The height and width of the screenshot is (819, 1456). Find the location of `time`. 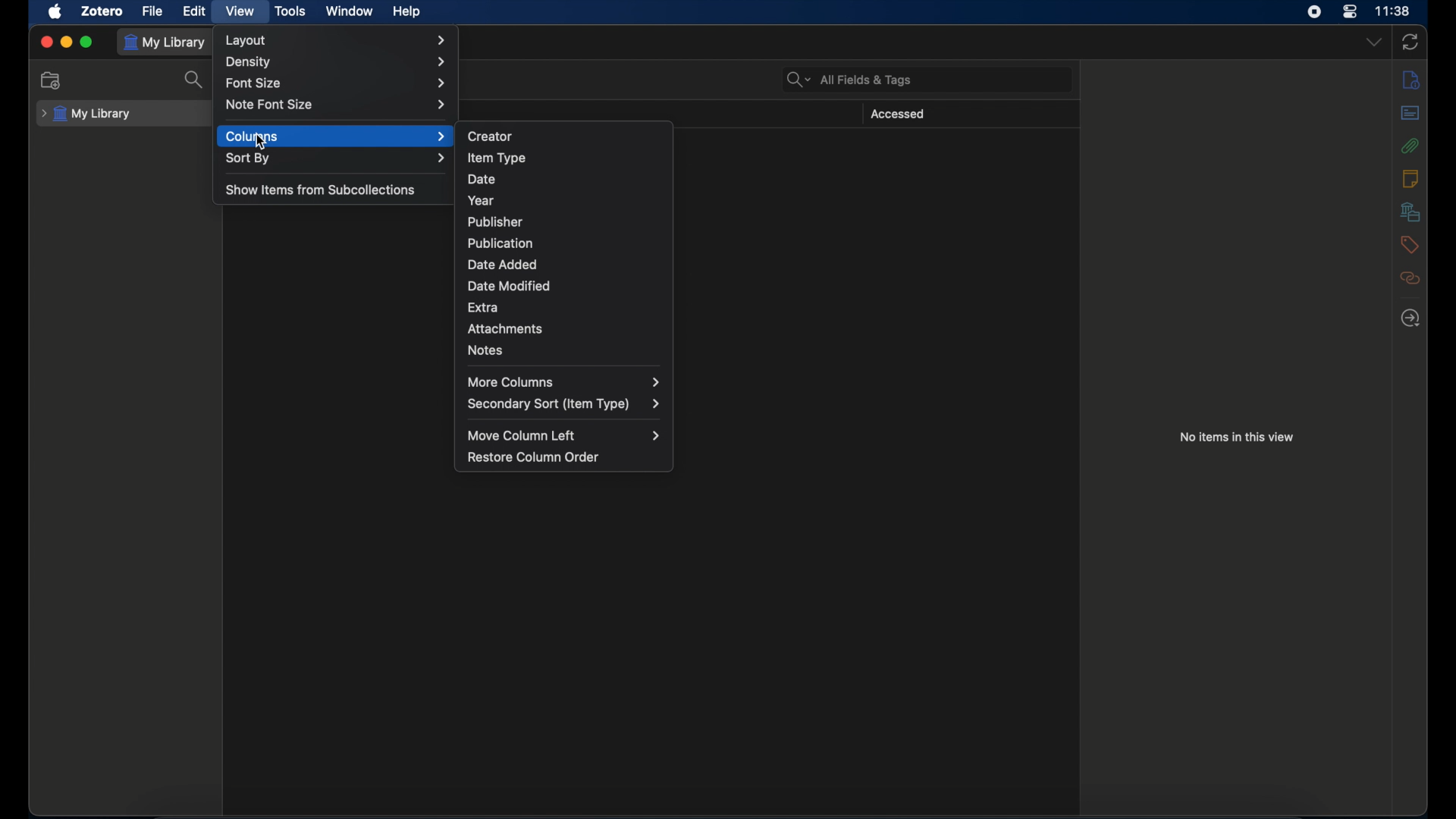

time is located at coordinates (1393, 11).